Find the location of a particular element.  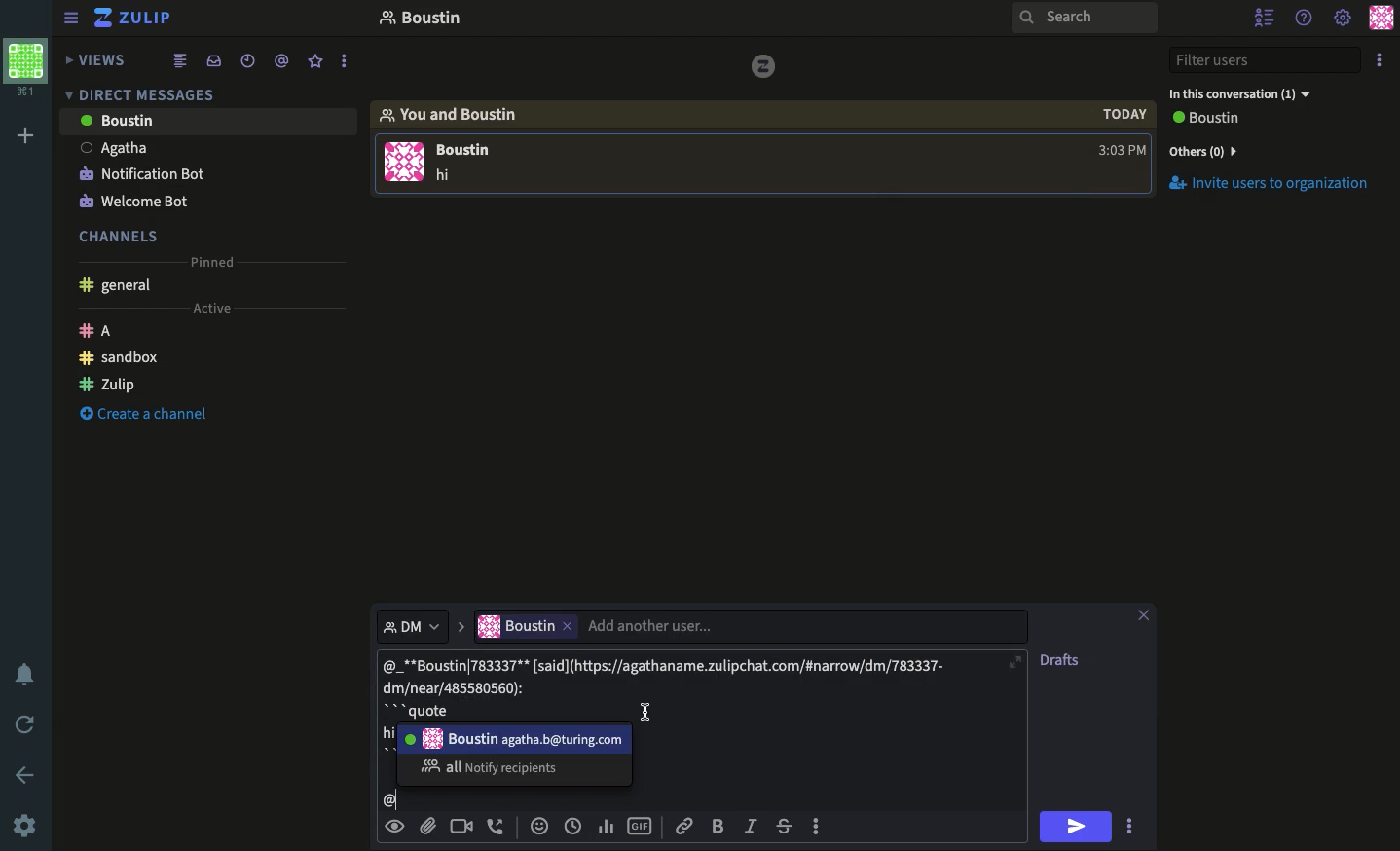

Tag is located at coordinates (387, 801).